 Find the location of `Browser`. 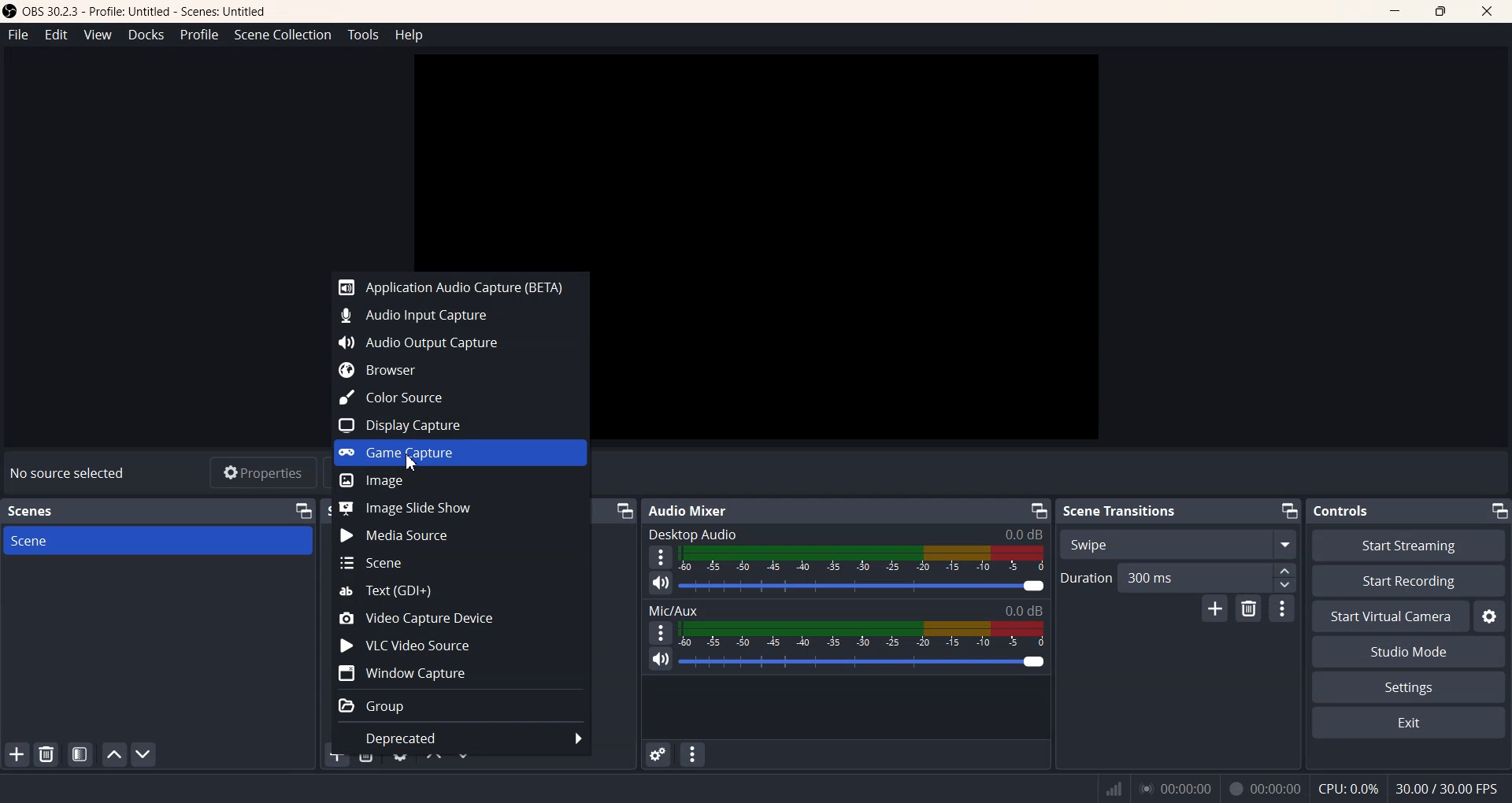

Browser is located at coordinates (453, 369).